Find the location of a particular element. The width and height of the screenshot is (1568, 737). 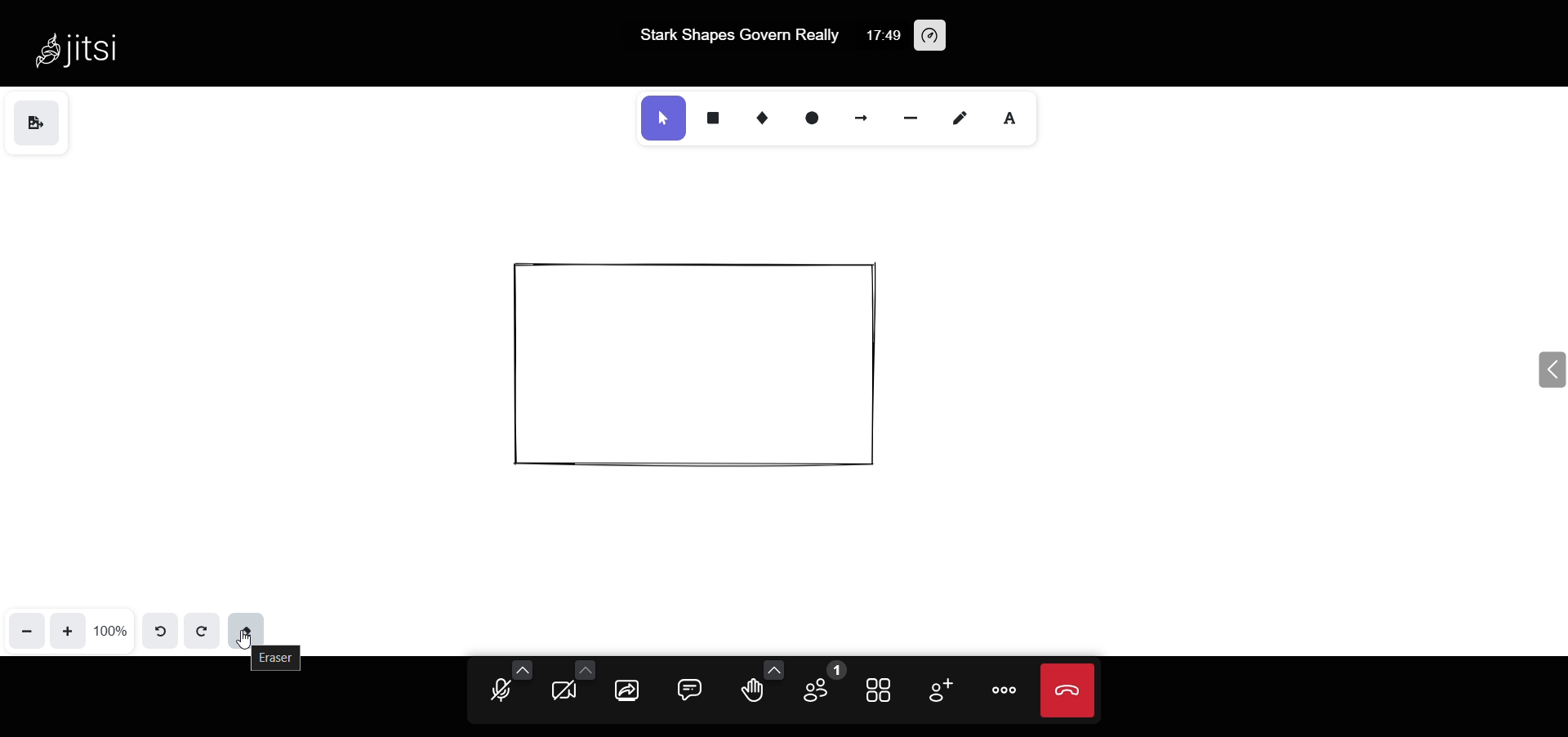

Jitsi is located at coordinates (83, 49).